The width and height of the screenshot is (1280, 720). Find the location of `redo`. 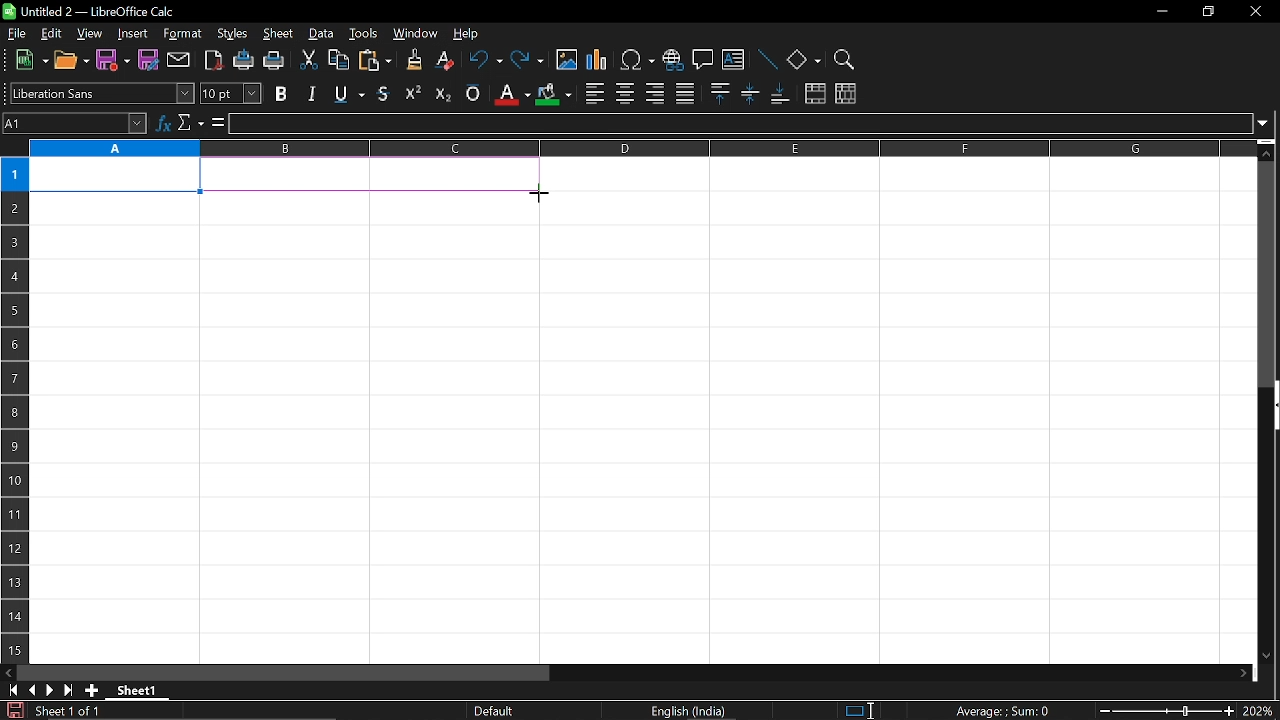

redo is located at coordinates (528, 61).